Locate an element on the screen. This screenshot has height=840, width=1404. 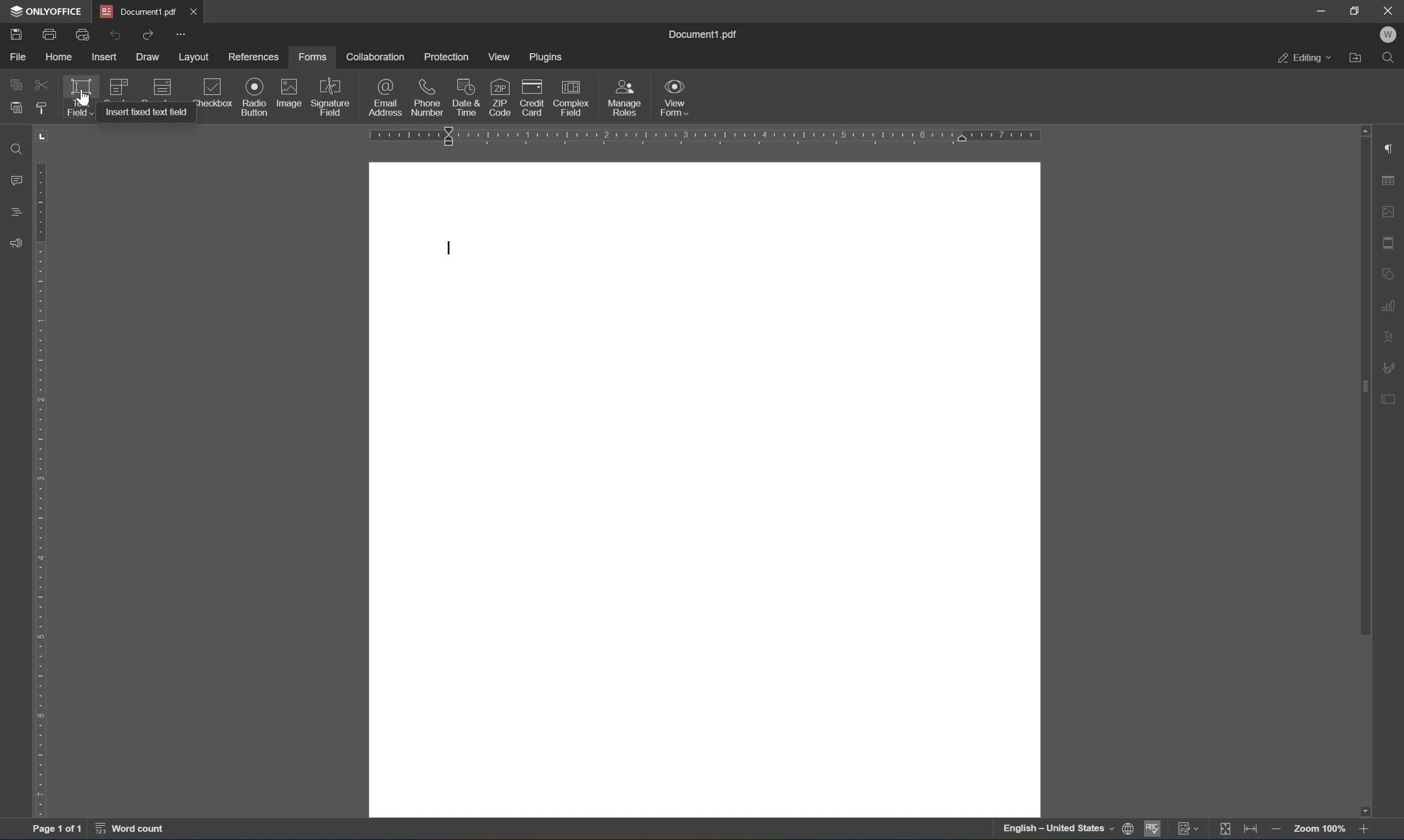
phone number is located at coordinates (427, 97).